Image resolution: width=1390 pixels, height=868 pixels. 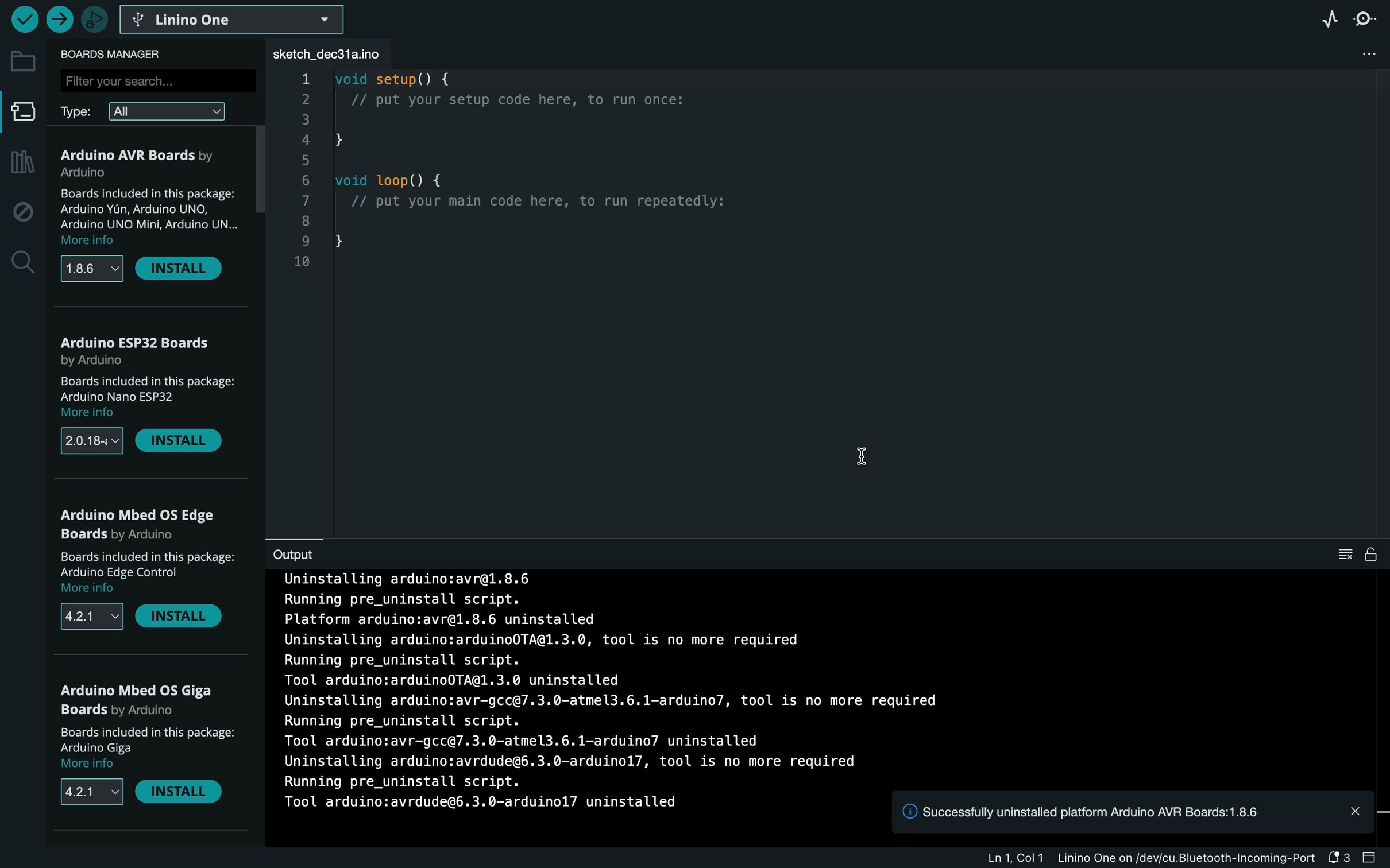 What do you see at coordinates (1361, 553) in the screenshot?
I see `clear` at bounding box center [1361, 553].